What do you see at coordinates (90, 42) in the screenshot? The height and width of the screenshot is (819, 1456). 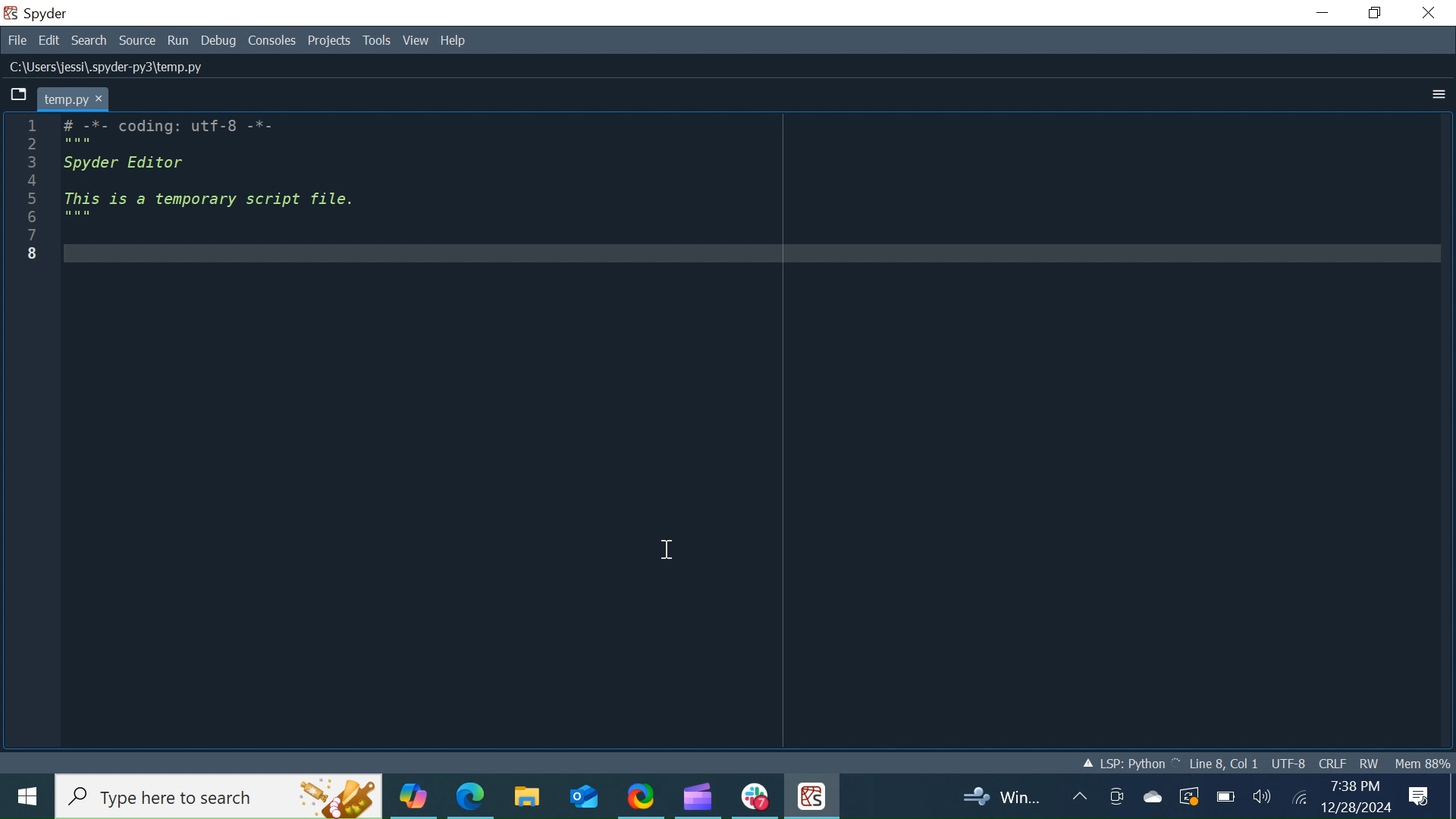 I see `Search` at bounding box center [90, 42].